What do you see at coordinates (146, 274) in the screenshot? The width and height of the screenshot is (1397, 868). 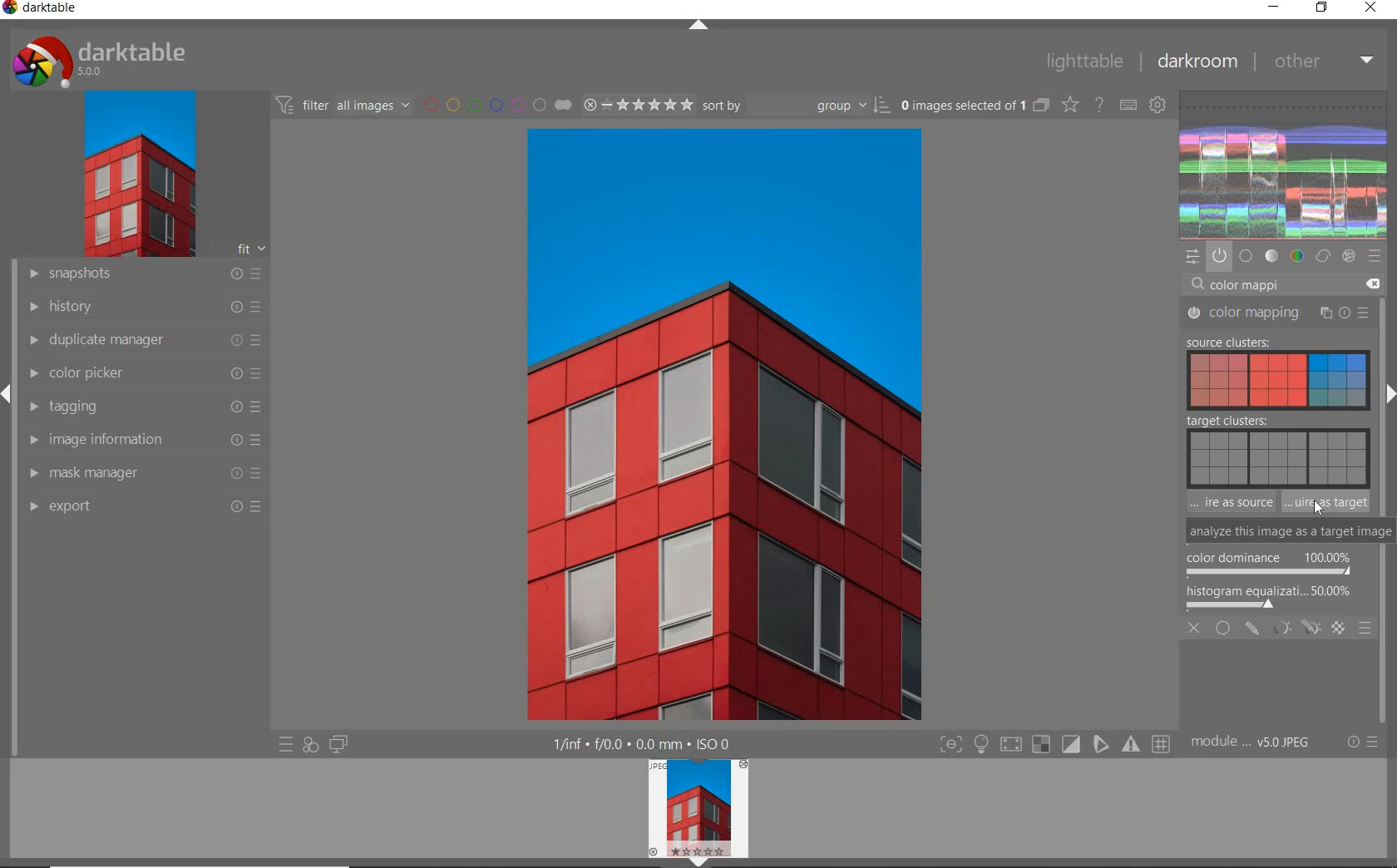 I see `snapshot` at bounding box center [146, 274].